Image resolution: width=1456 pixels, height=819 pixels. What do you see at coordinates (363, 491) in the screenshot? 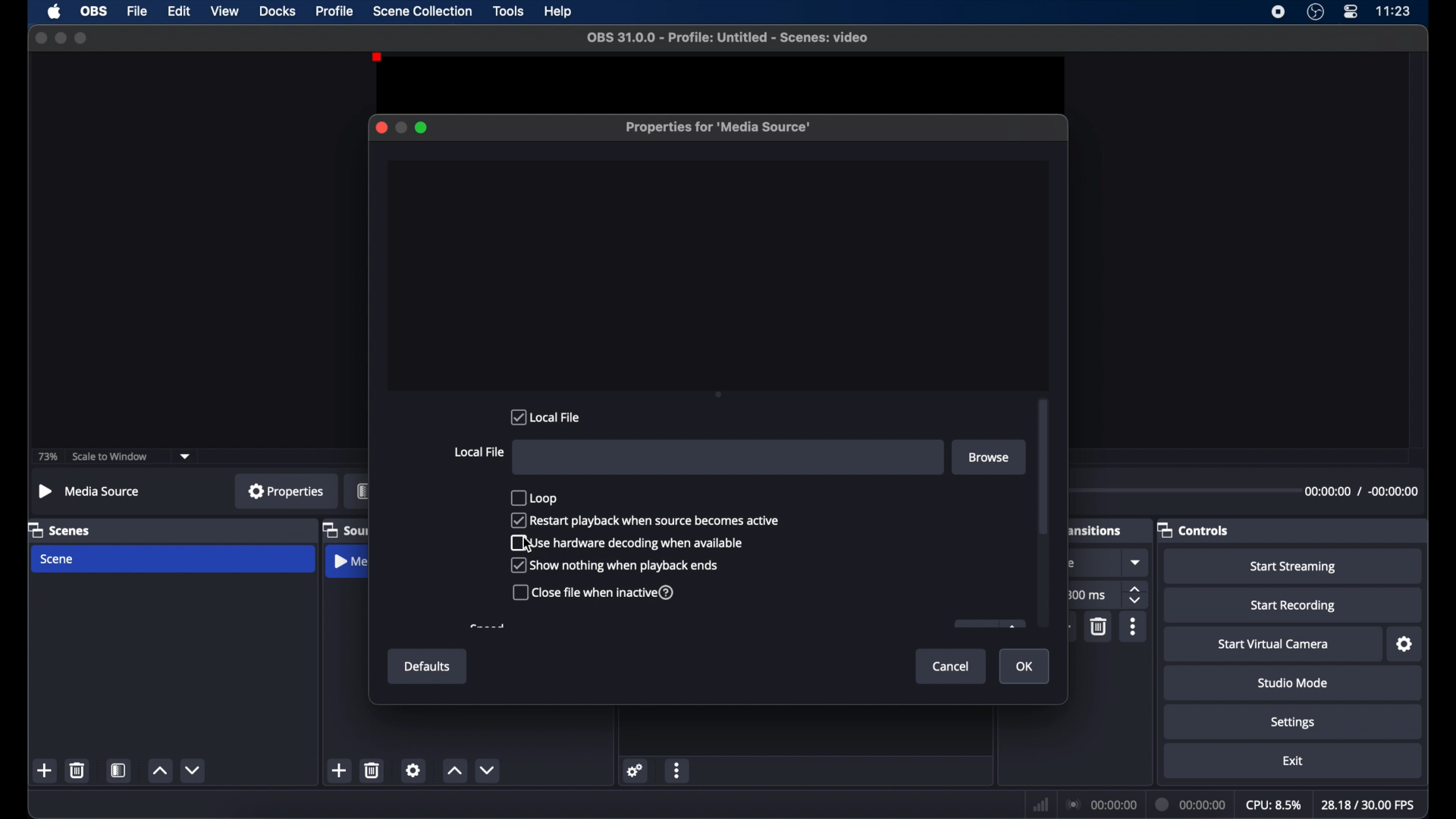
I see `filters` at bounding box center [363, 491].